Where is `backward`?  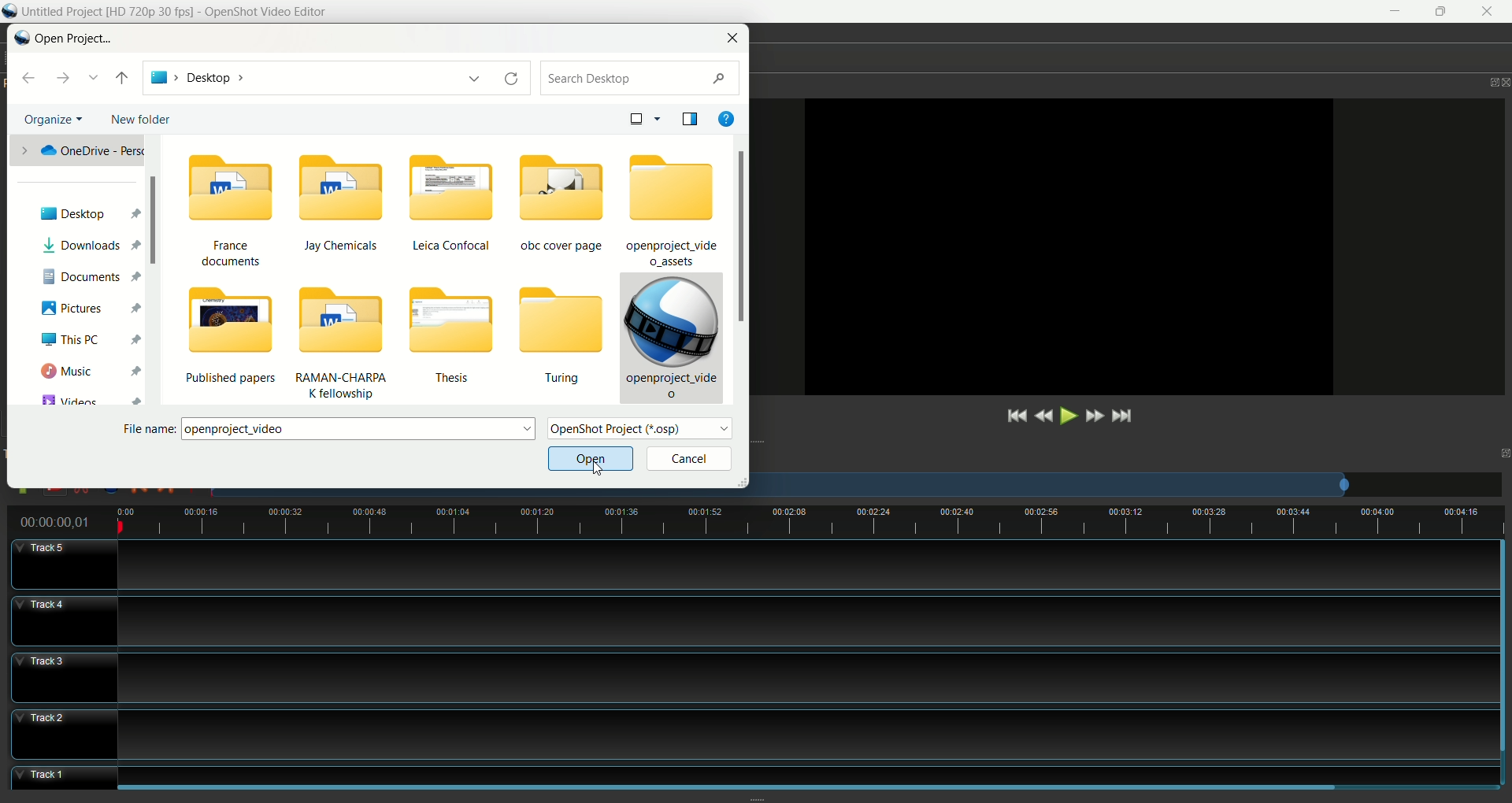
backward is located at coordinates (32, 80).